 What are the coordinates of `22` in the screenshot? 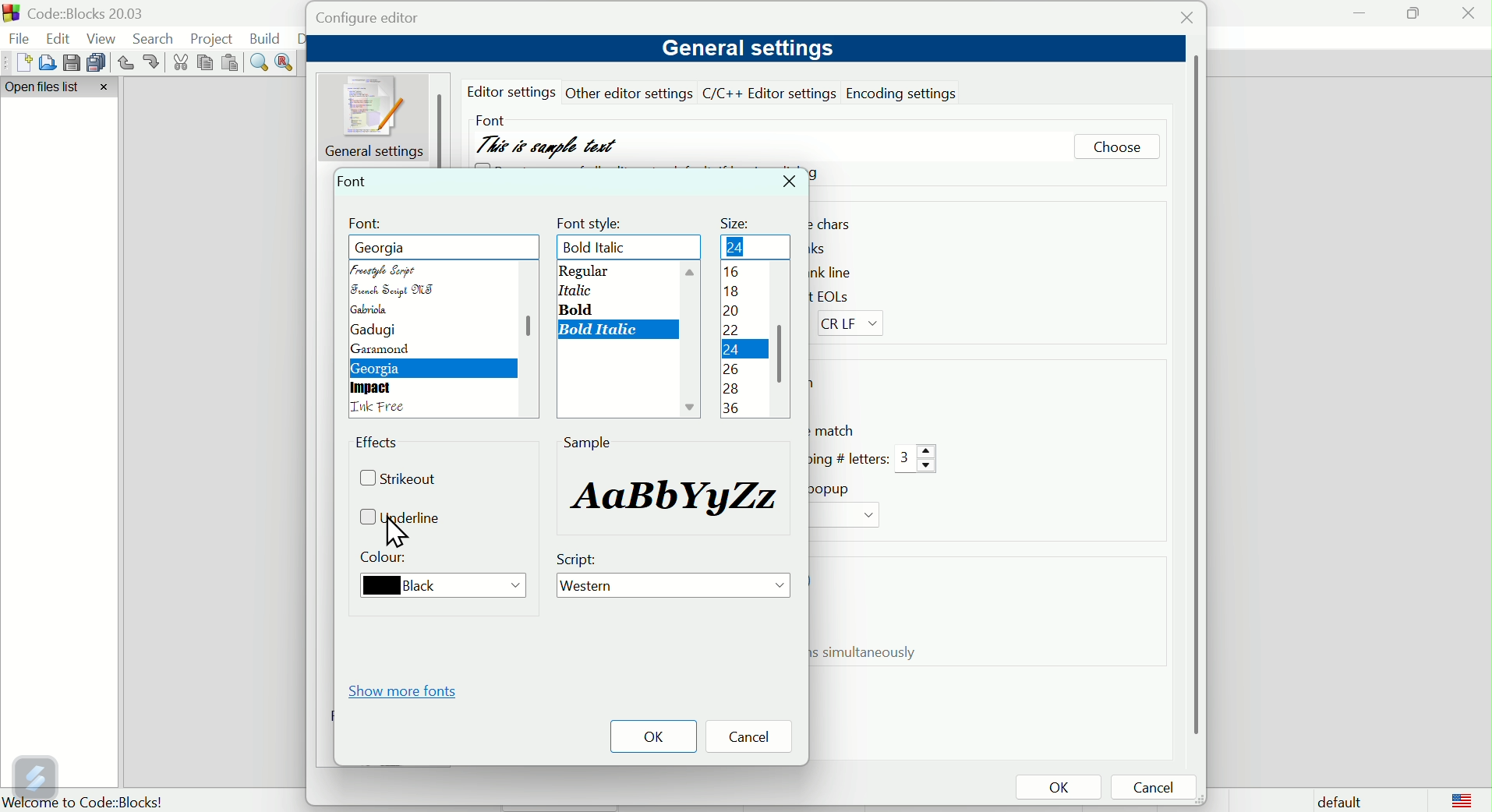 It's located at (734, 332).